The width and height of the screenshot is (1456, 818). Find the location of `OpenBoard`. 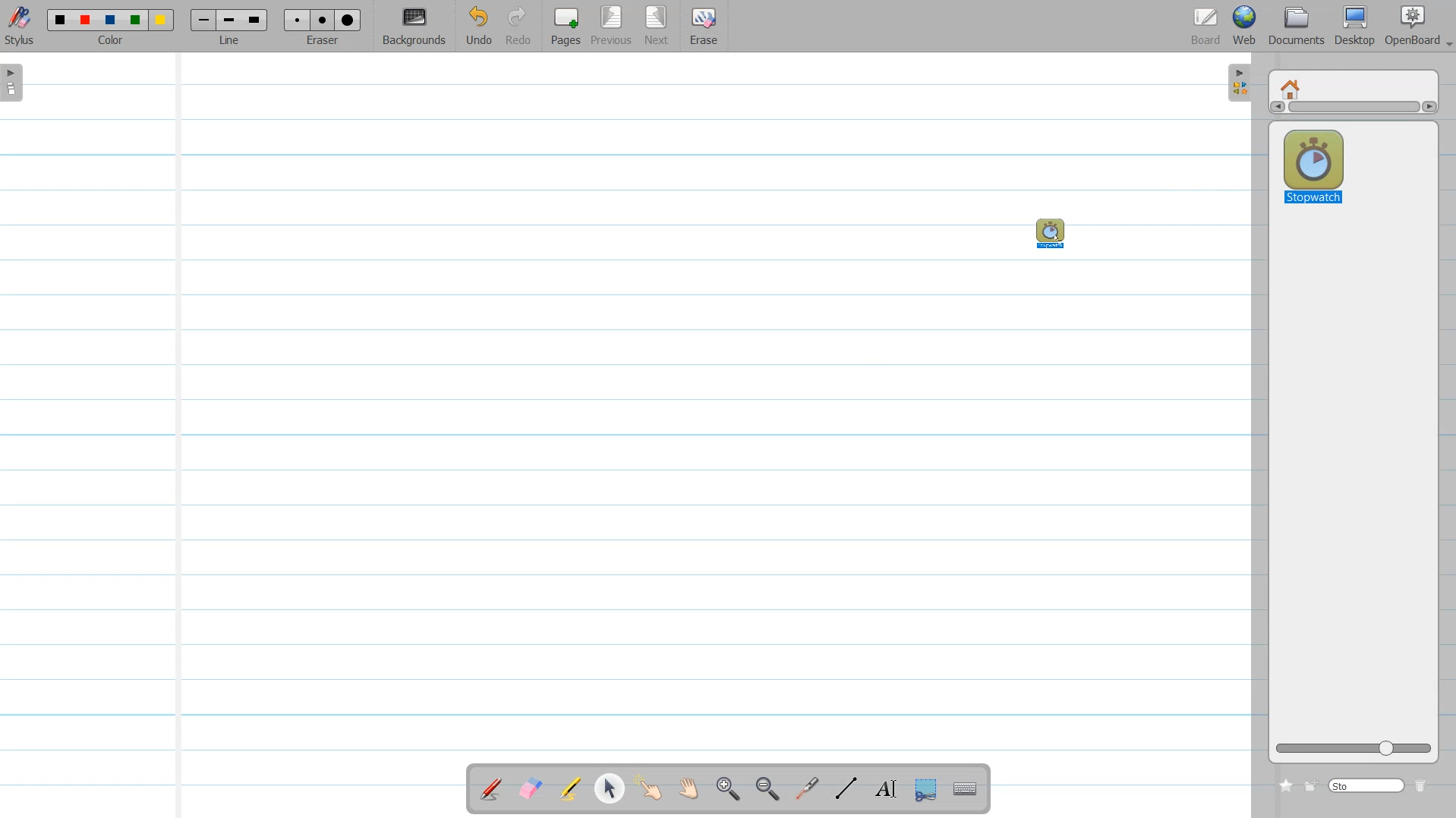

OpenBoard is located at coordinates (1410, 26).